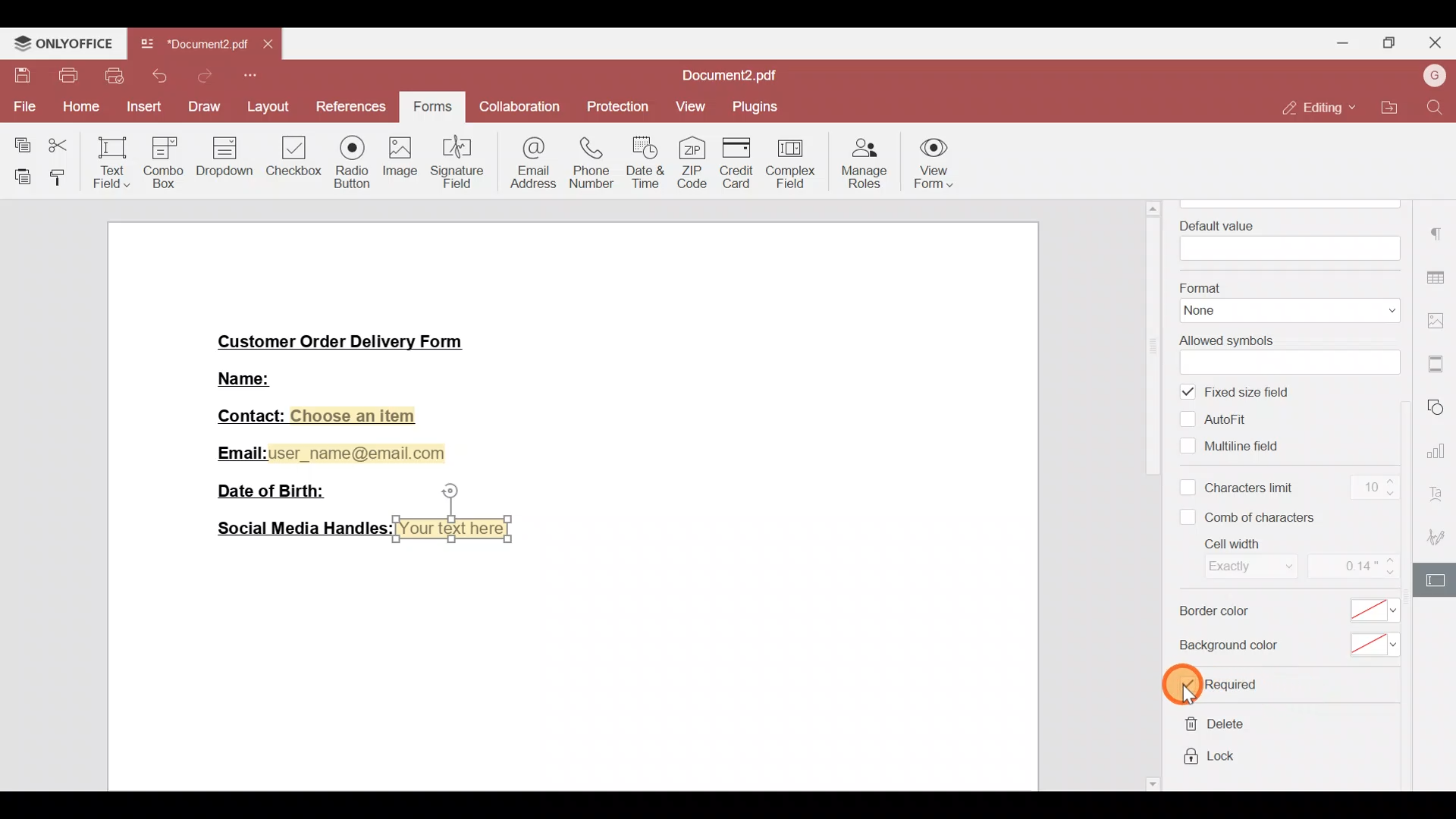  Describe the element at coordinates (17, 142) in the screenshot. I see `Copy` at that location.